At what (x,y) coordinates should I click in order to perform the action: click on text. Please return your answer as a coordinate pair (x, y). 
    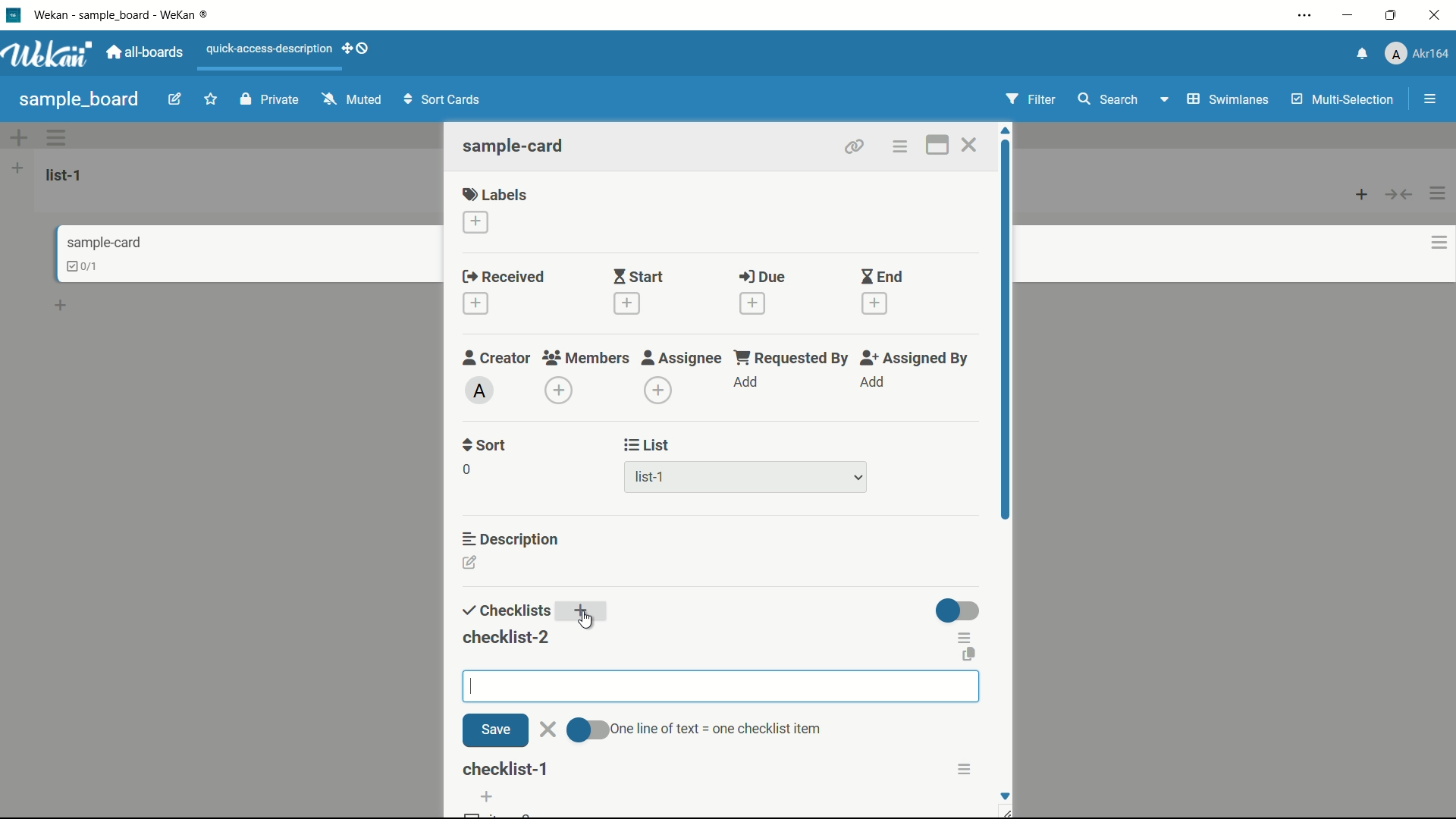
    Looking at the image, I should click on (720, 728).